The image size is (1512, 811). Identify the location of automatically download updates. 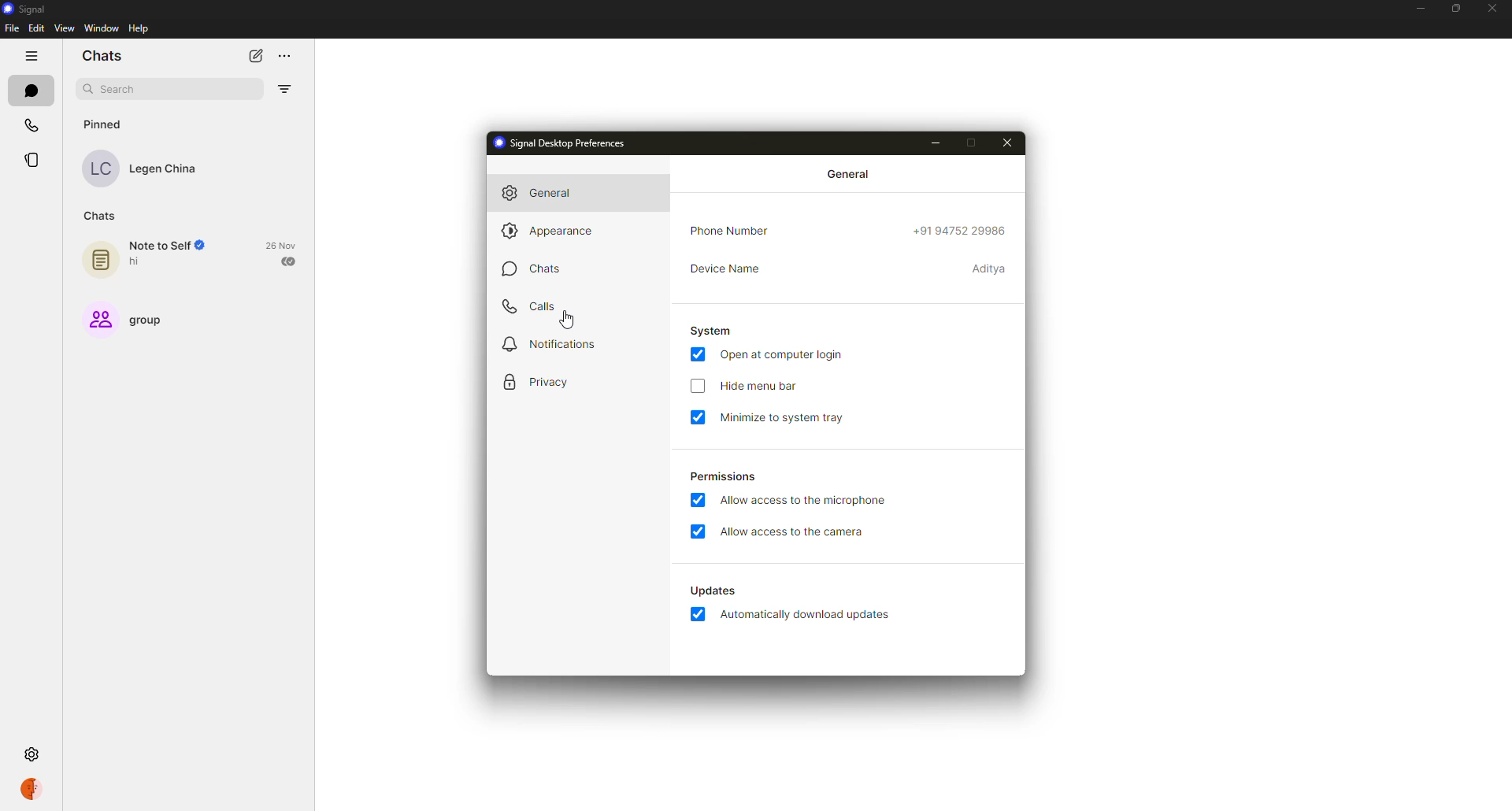
(810, 615).